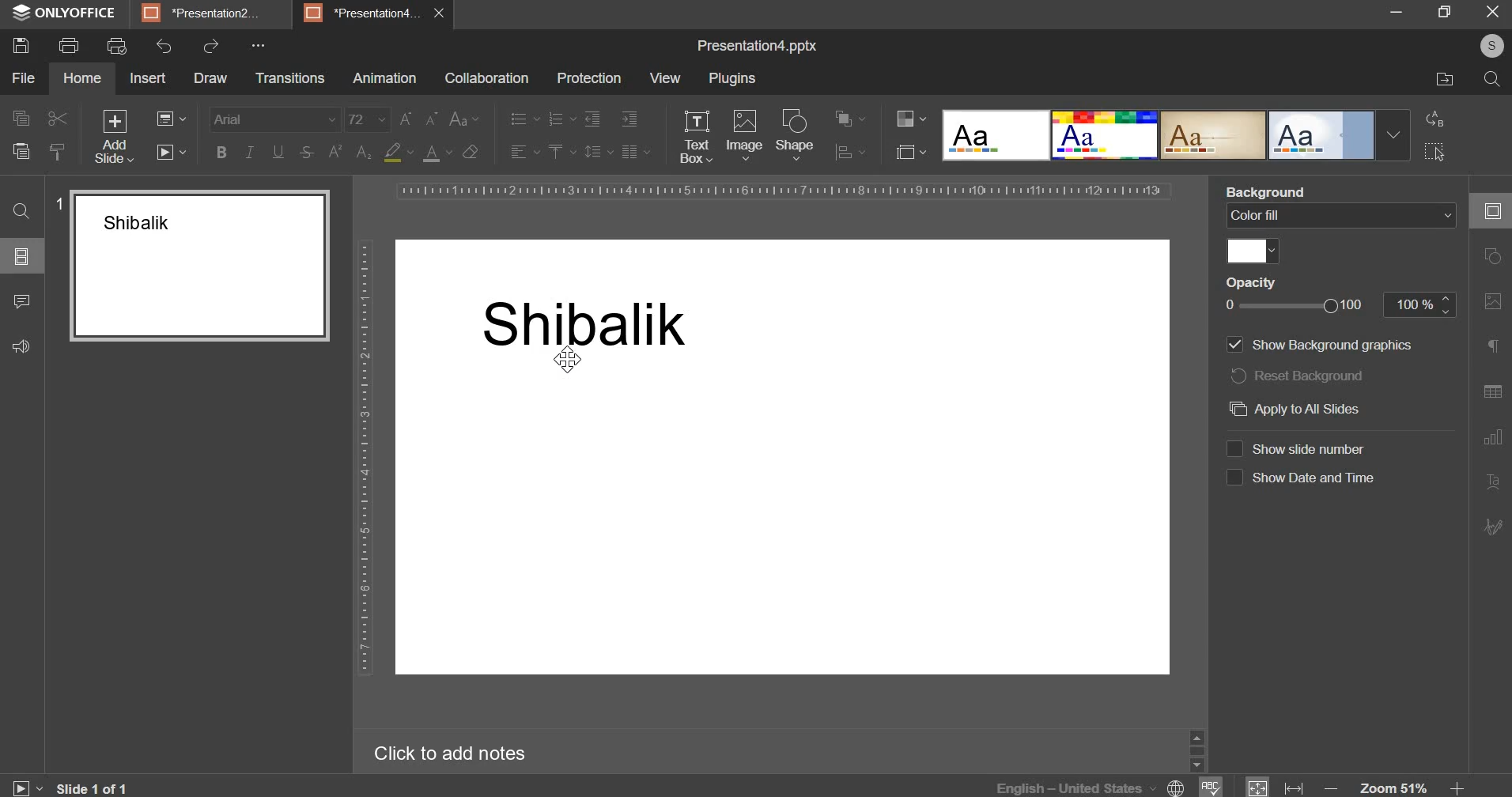  I want to click on insert, so click(149, 77).